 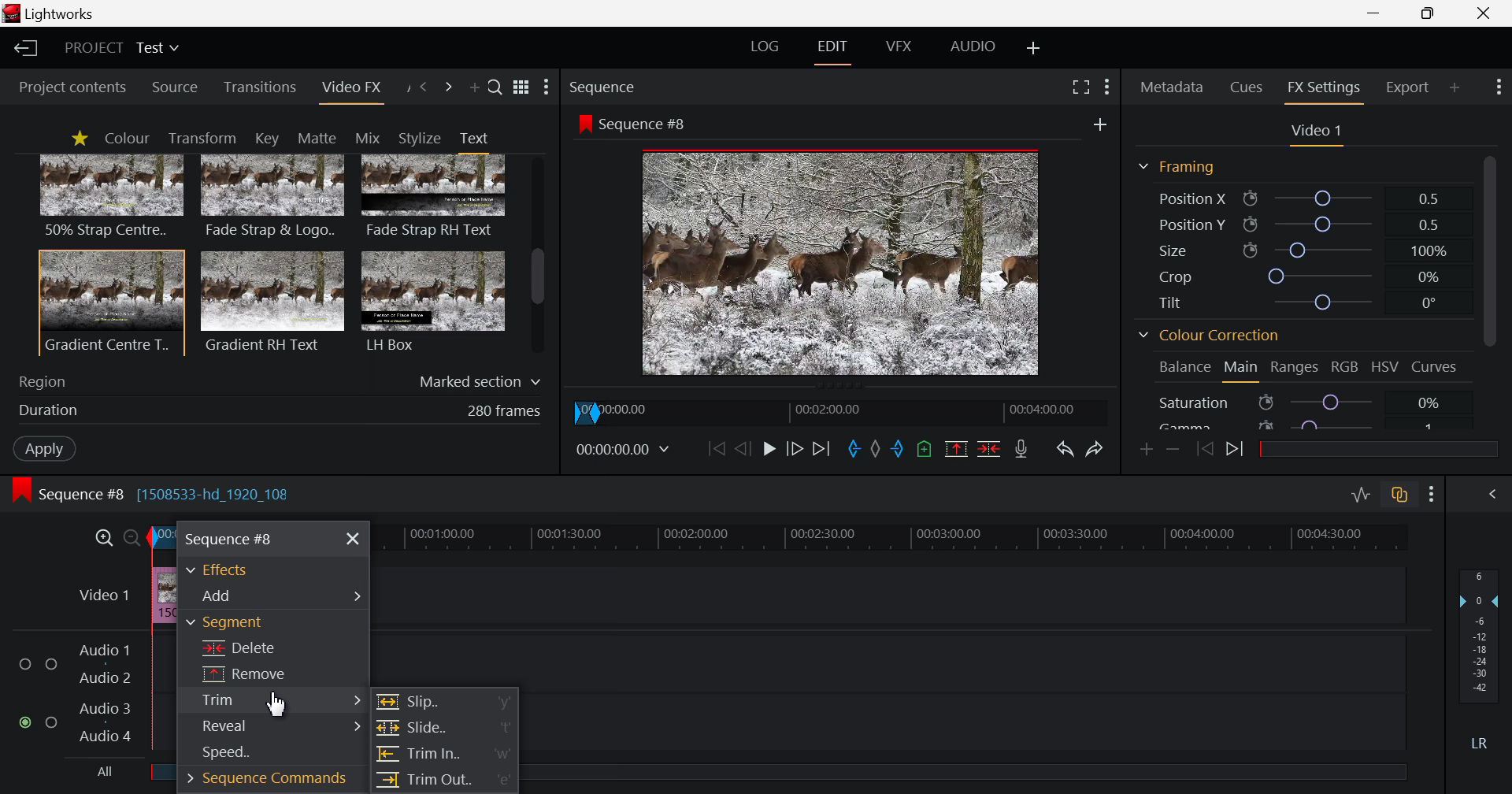 What do you see at coordinates (523, 87) in the screenshot?
I see `Toggle between list and title views` at bounding box center [523, 87].